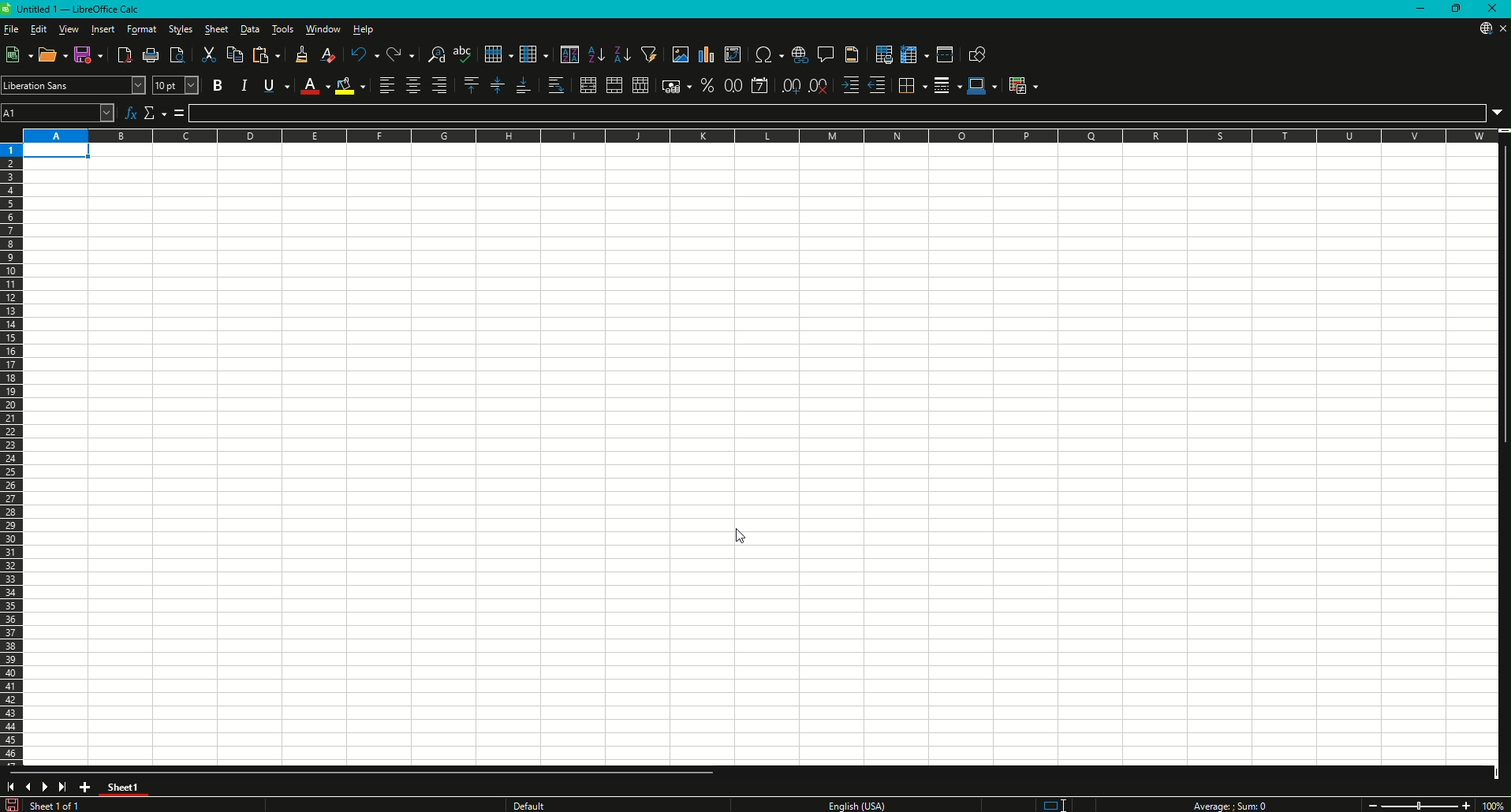 The image size is (1511, 812). What do you see at coordinates (1493, 806) in the screenshot?
I see `Zoom Factor` at bounding box center [1493, 806].